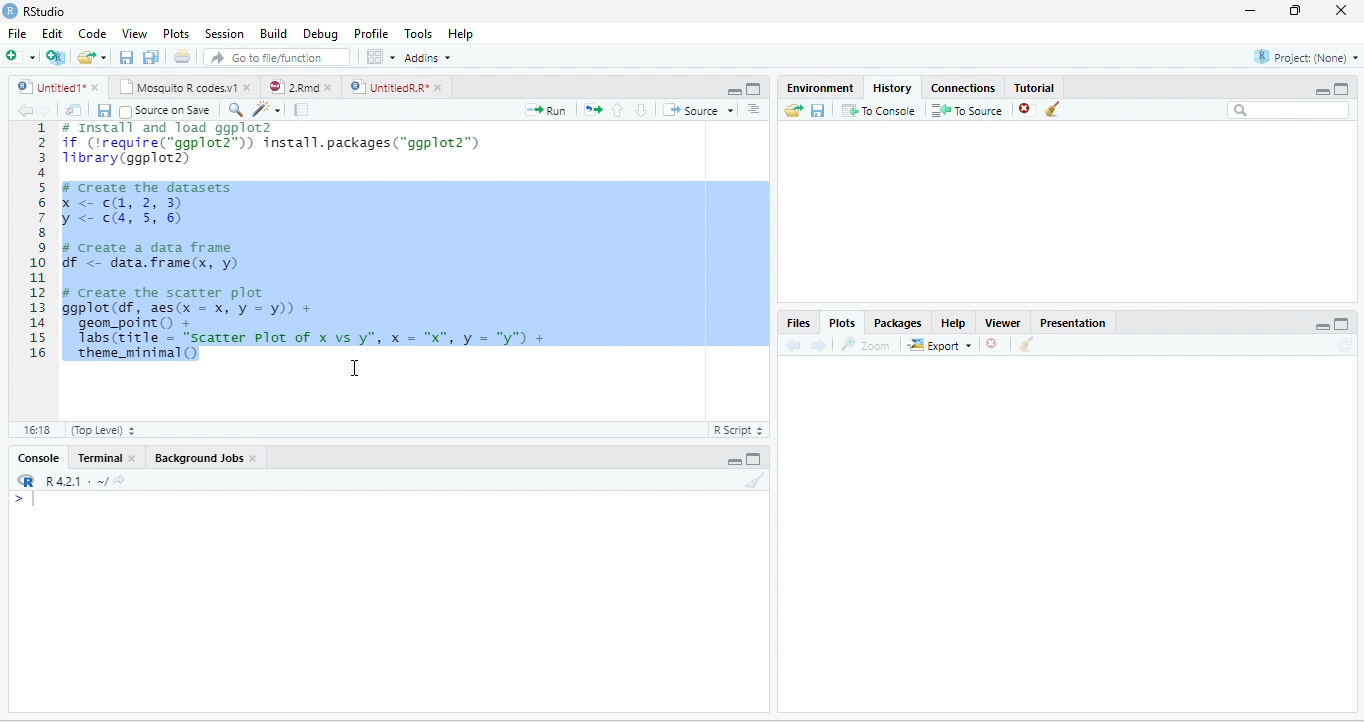 This screenshot has height=722, width=1364. I want to click on Re-run the previous code region, so click(593, 110).